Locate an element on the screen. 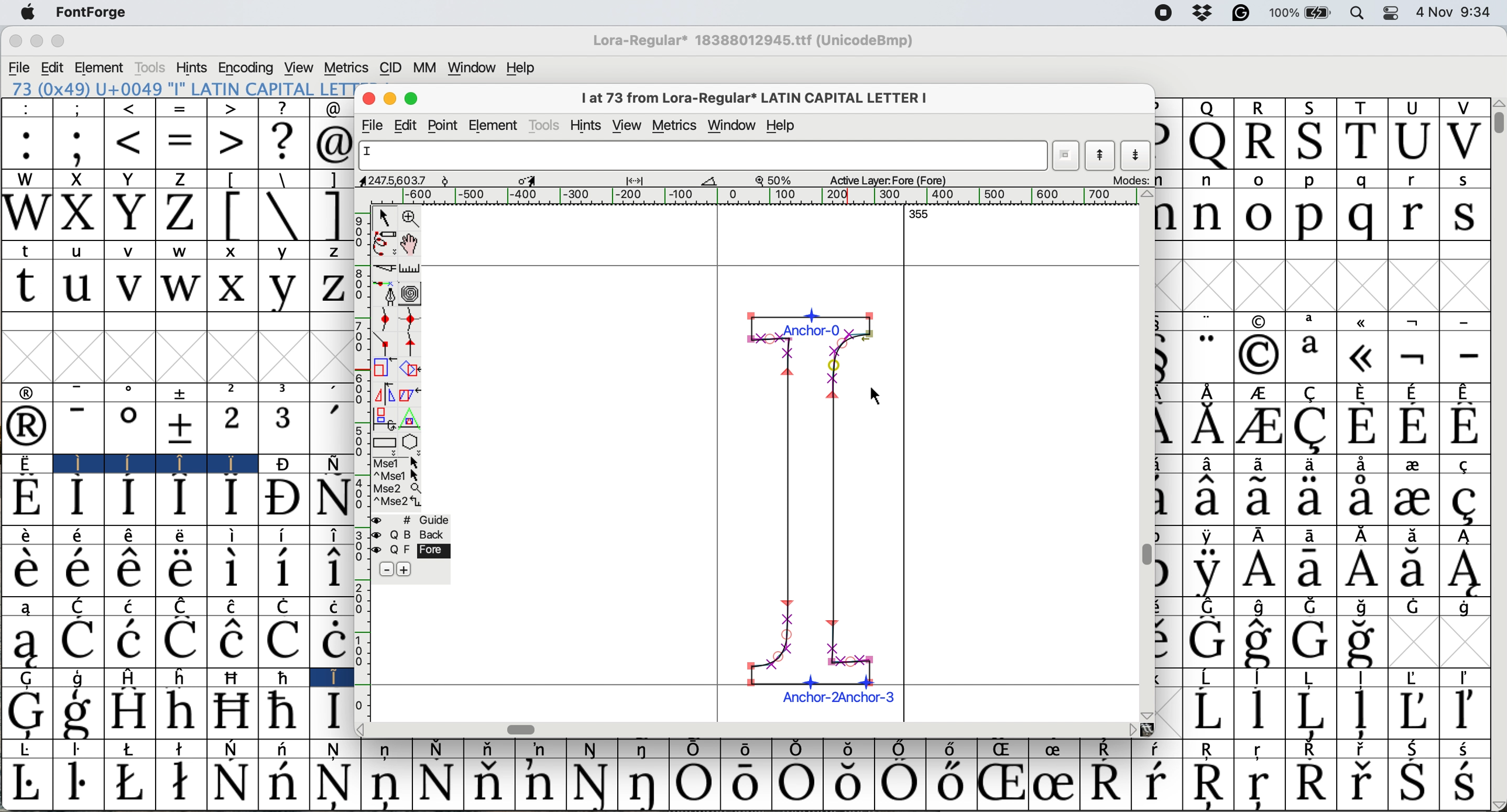  Symbol is located at coordinates (1361, 572).